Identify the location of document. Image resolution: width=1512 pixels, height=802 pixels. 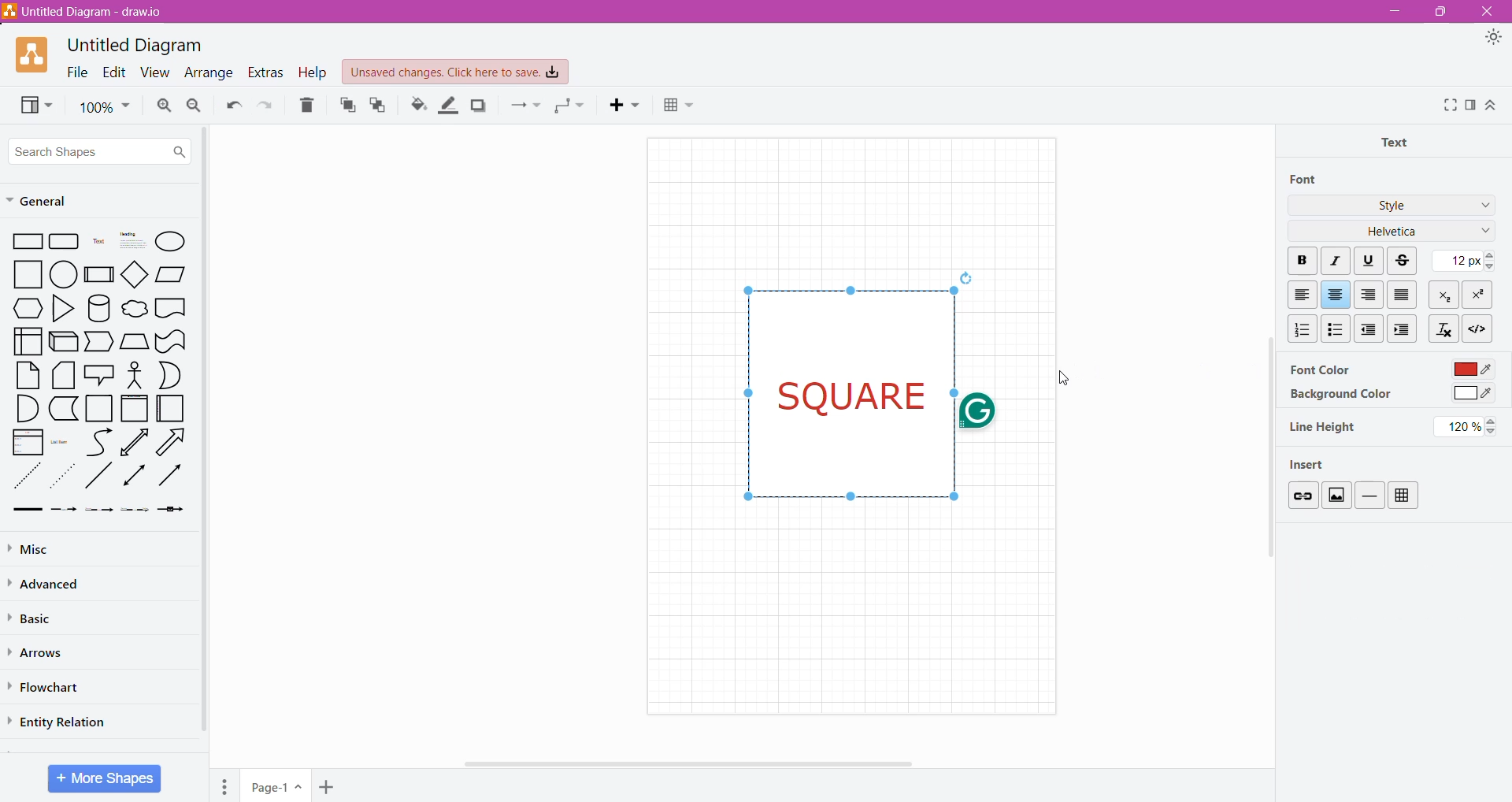
(171, 307).